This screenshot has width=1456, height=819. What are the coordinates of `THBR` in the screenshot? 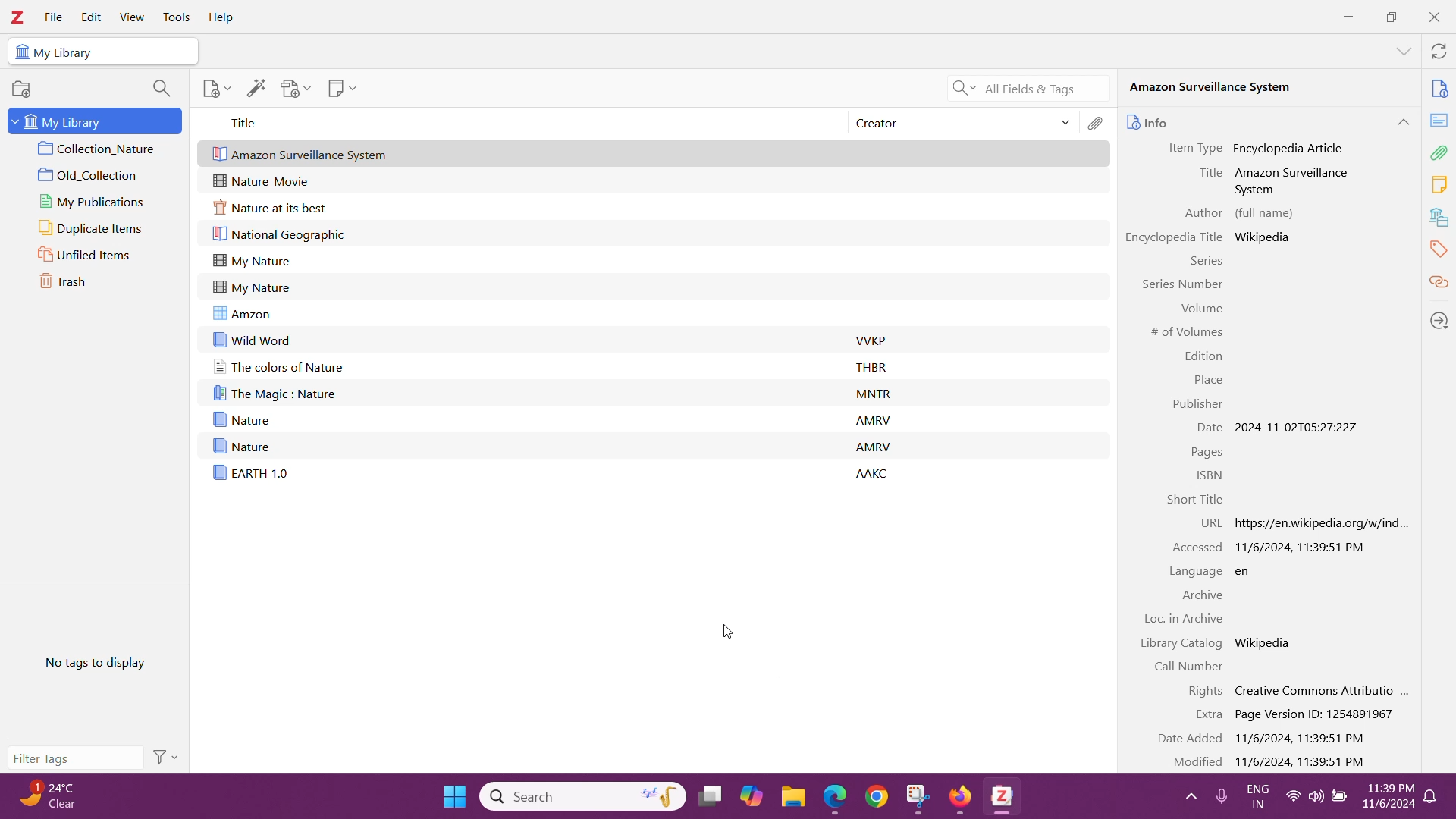 It's located at (868, 366).